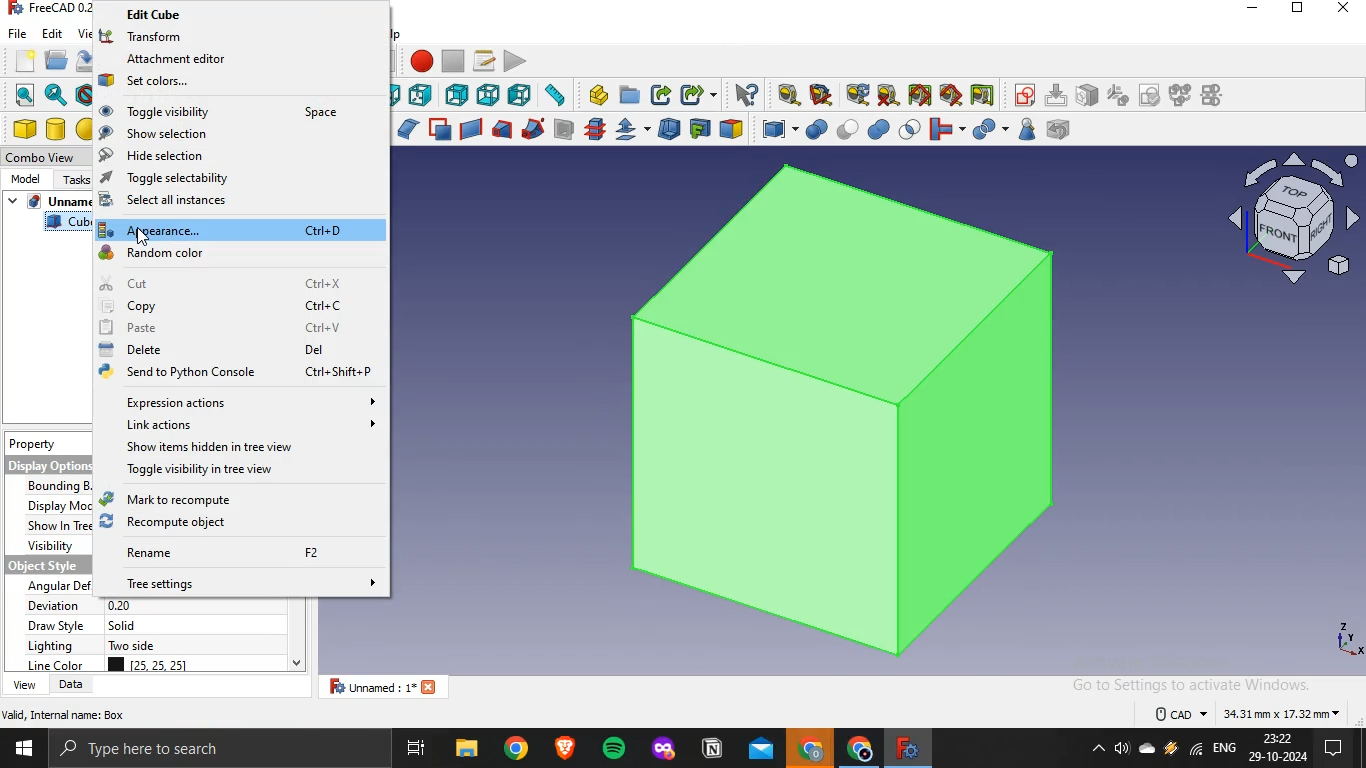  I want to click on check geometry, so click(1026, 129).